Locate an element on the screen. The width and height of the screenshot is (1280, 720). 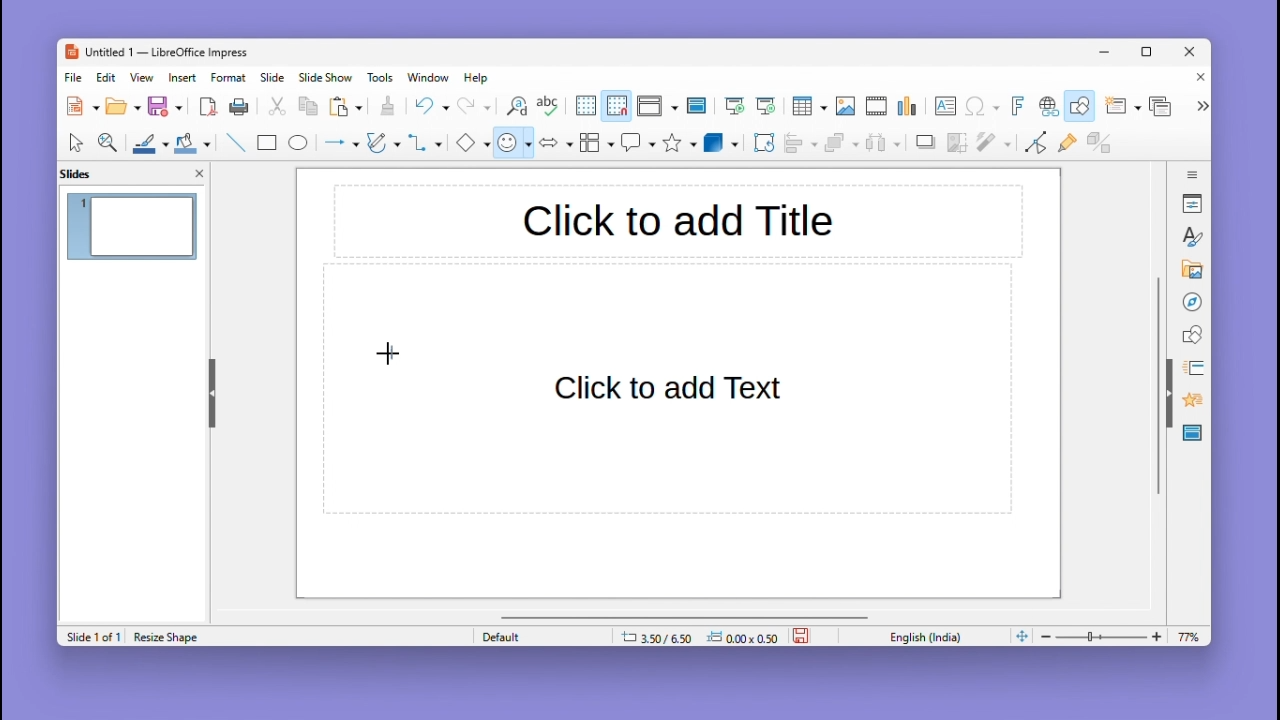
Properties is located at coordinates (1194, 203).